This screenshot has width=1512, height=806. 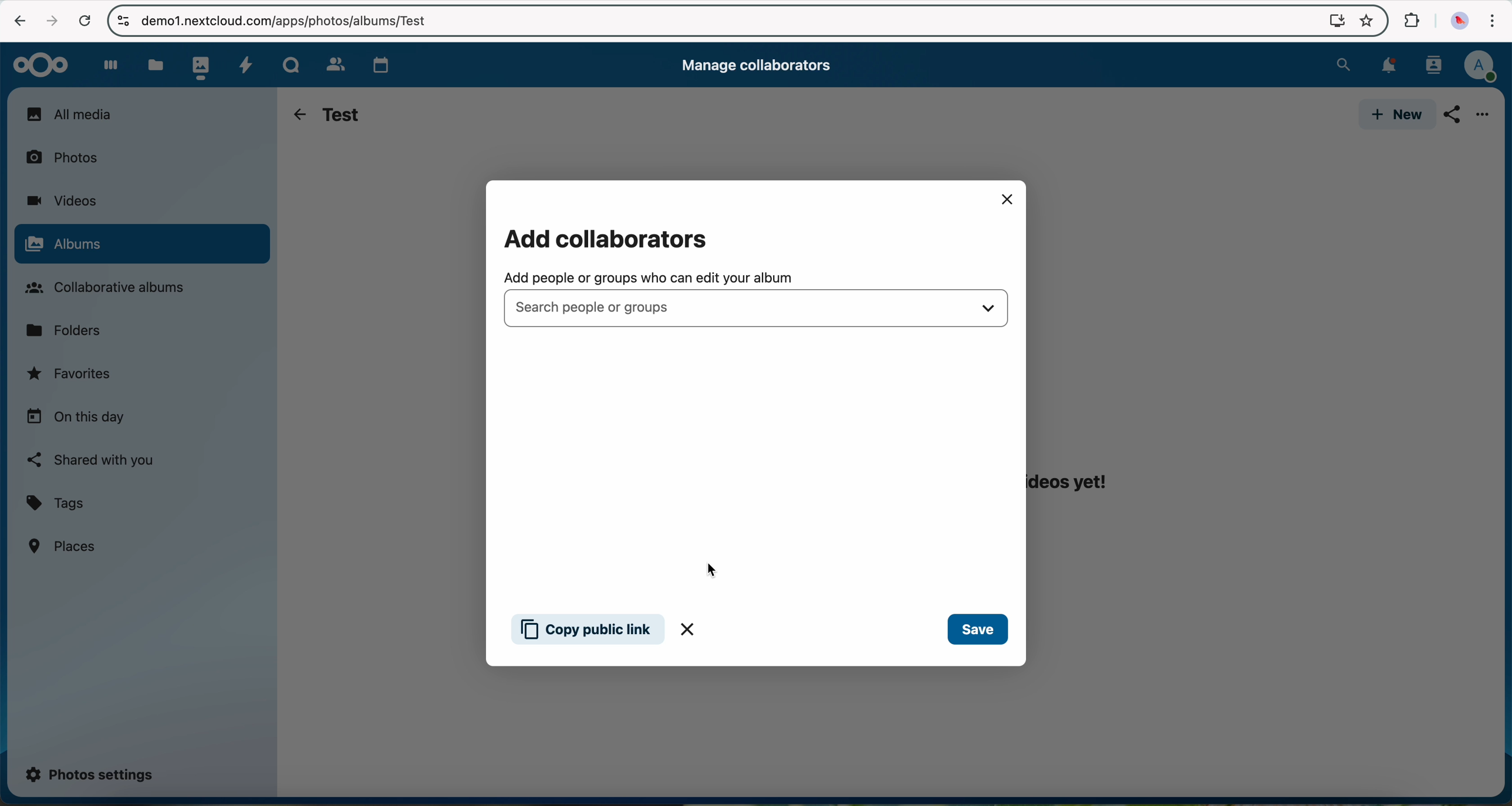 I want to click on on this day, so click(x=76, y=418).